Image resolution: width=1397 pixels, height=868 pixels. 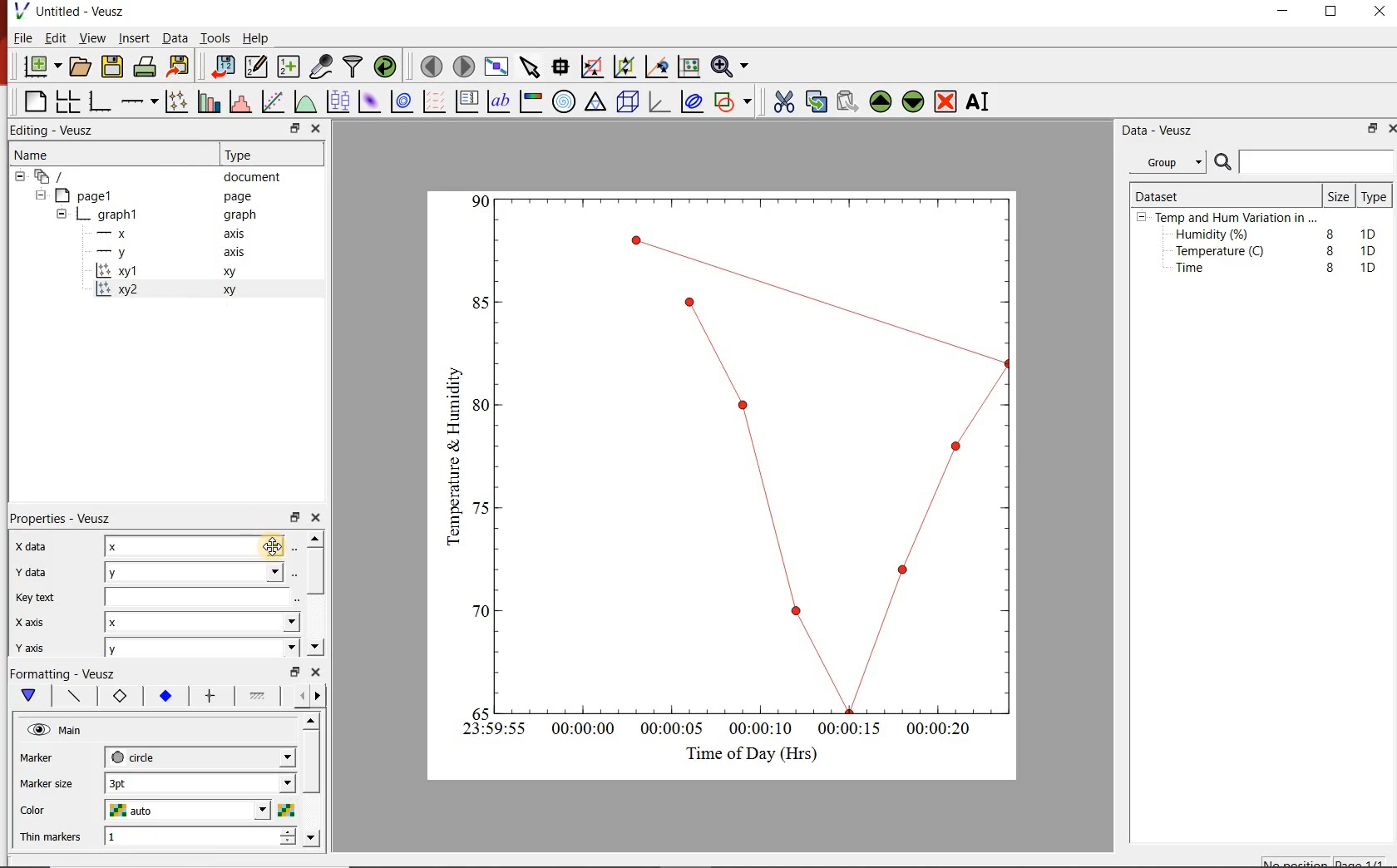 I want to click on filter data, so click(x=353, y=67).